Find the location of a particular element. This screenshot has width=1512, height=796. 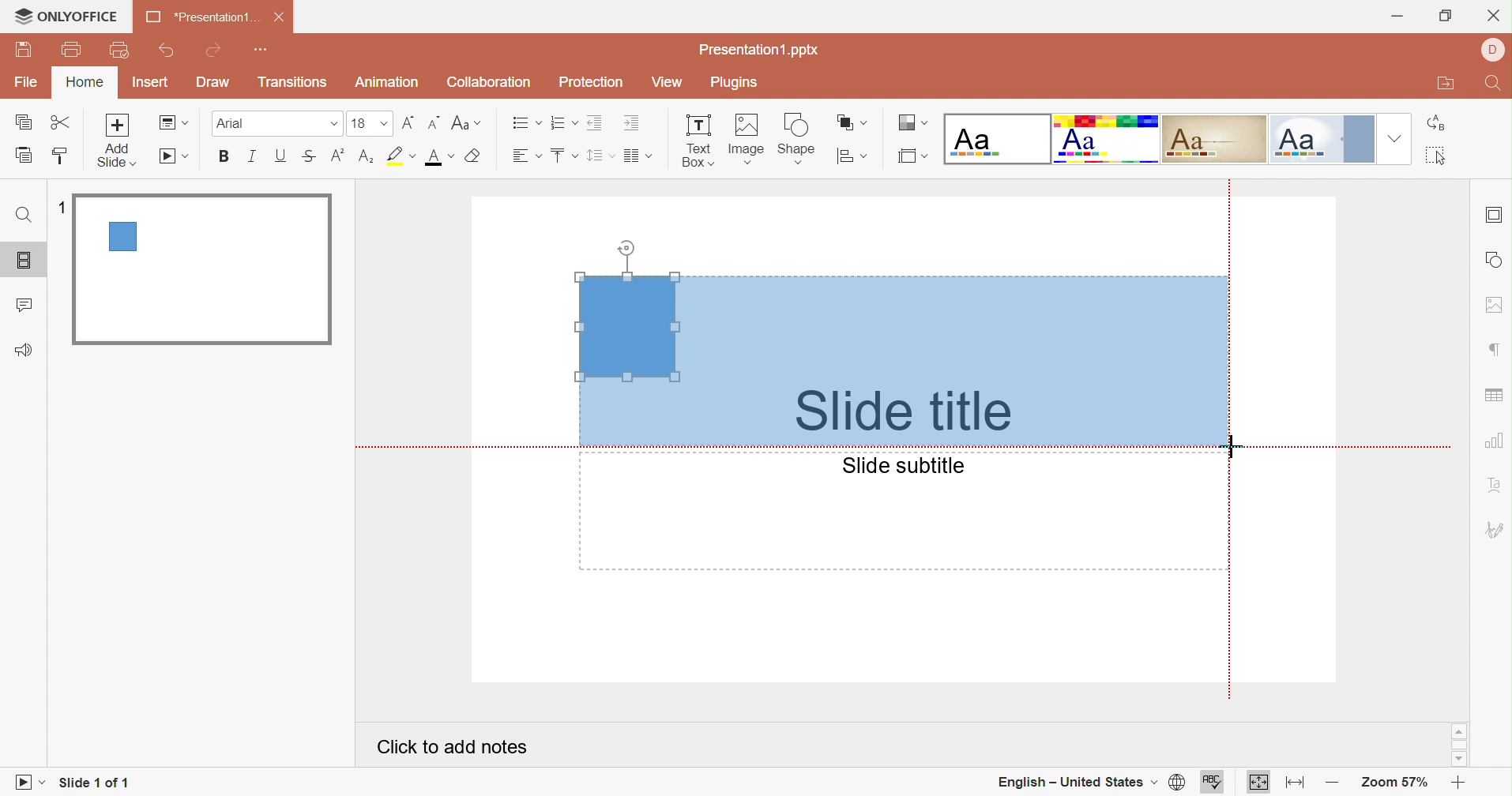

View is located at coordinates (668, 83).